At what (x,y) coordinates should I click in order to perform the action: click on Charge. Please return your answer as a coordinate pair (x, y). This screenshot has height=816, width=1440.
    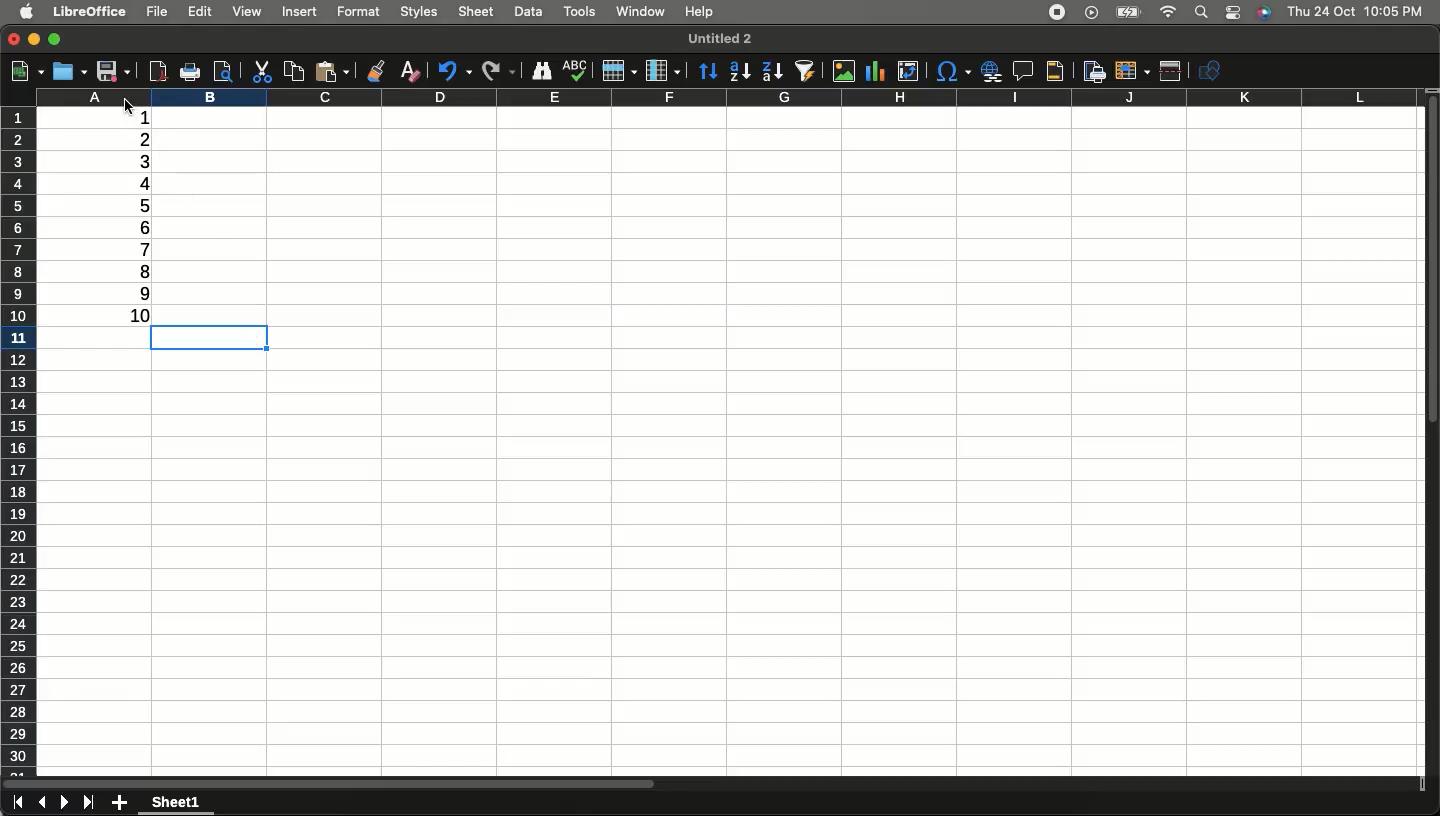
    Looking at the image, I should click on (1125, 13).